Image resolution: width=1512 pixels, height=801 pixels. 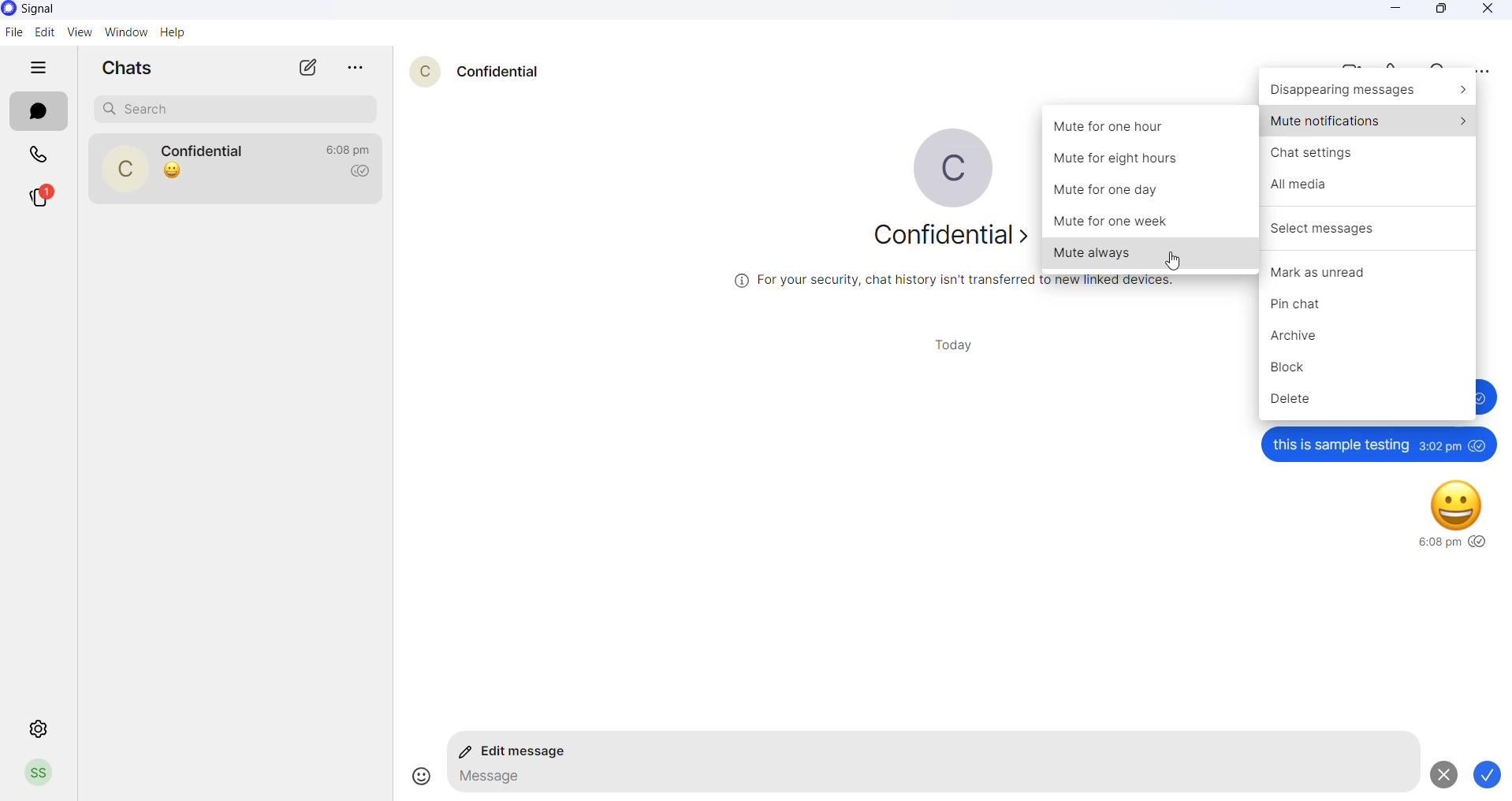 What do you see at coordinates (1343, 64) in the screenshot?
I see `video call` at bounding box center [1343, 64].